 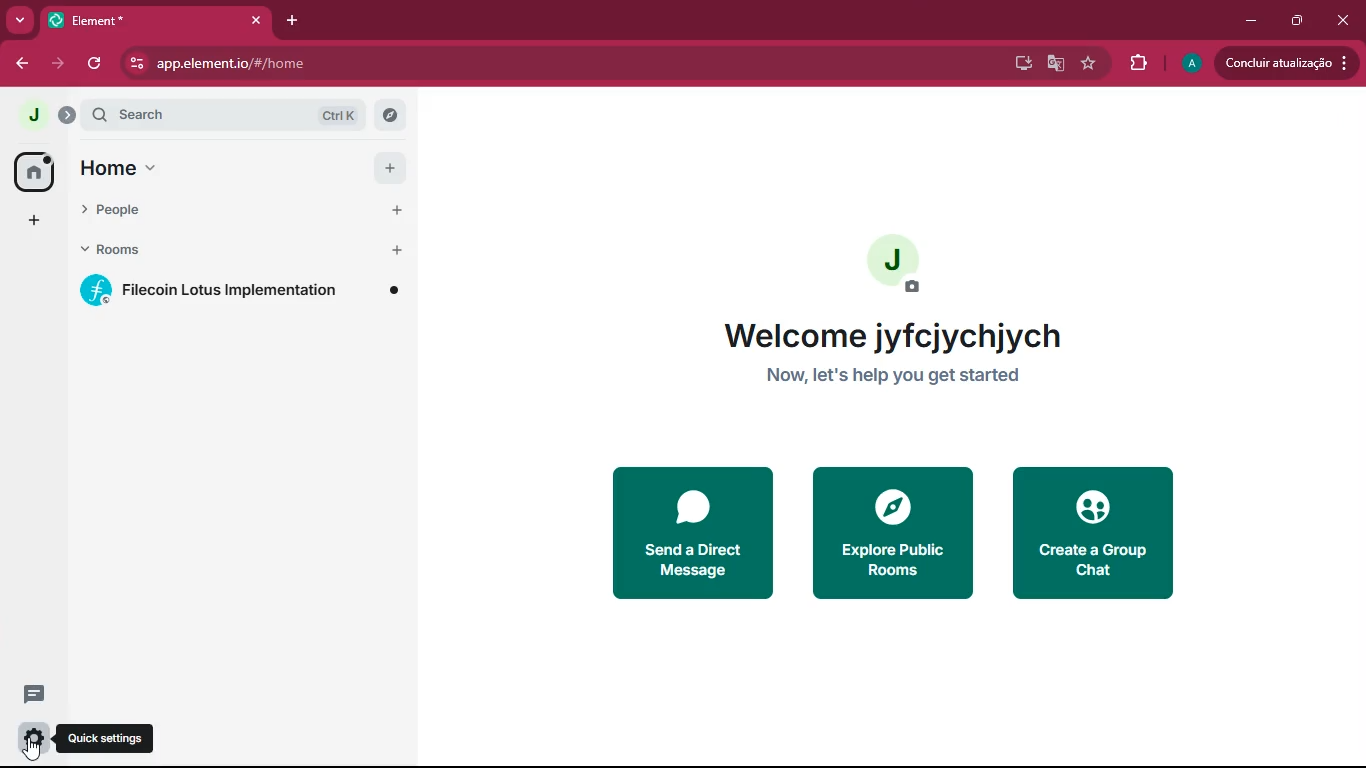 What do you see at coordinates (30, 220) in the screenshot?
I see `add` at bounding box center [30, 220].